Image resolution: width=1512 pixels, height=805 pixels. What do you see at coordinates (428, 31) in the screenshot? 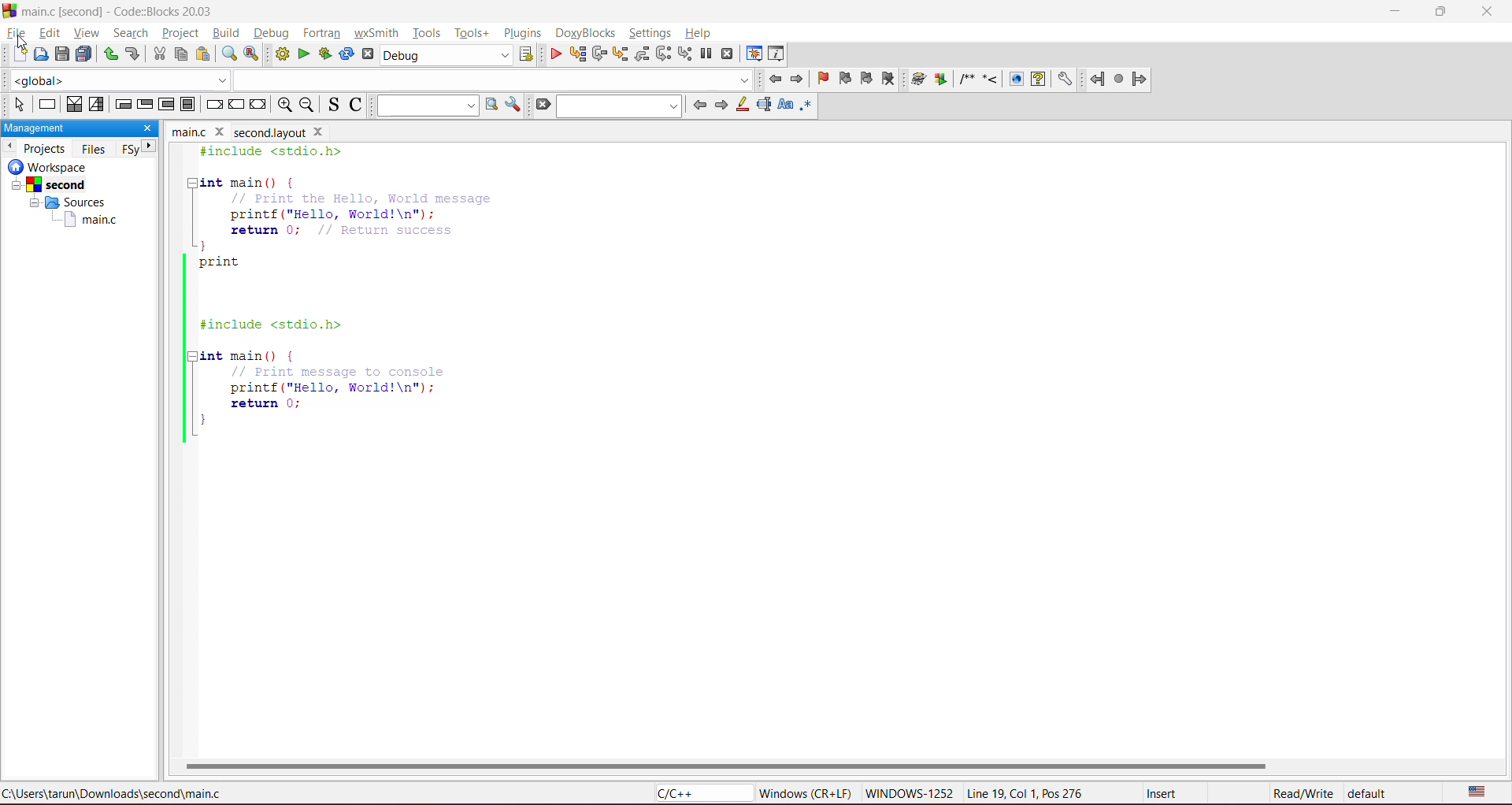
I see `tools` at bounding box center [428, 31].